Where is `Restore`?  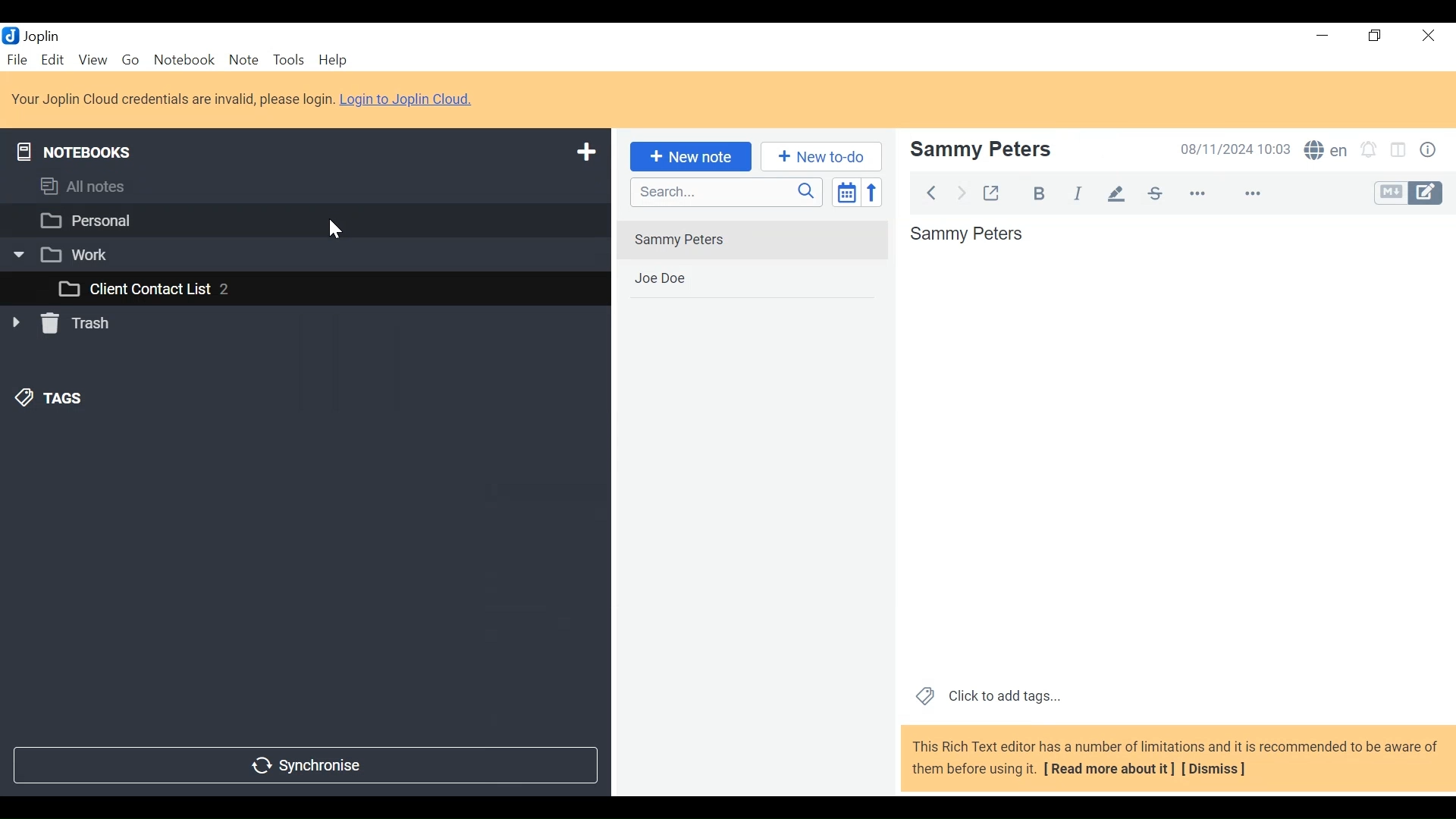 Restore is located at coordinates (1376, 35).